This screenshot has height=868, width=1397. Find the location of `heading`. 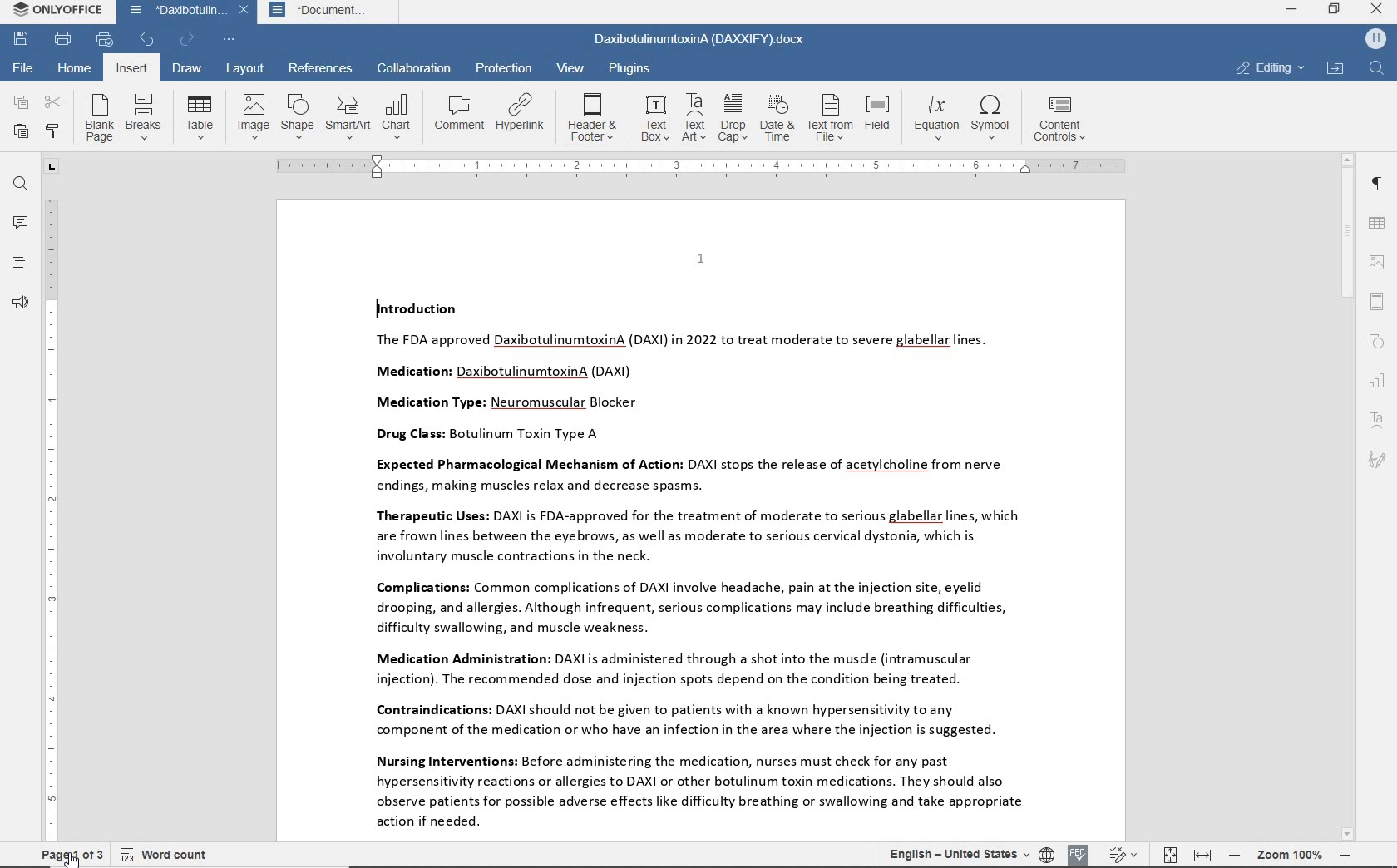

heading is located at coordinates (21, 263).